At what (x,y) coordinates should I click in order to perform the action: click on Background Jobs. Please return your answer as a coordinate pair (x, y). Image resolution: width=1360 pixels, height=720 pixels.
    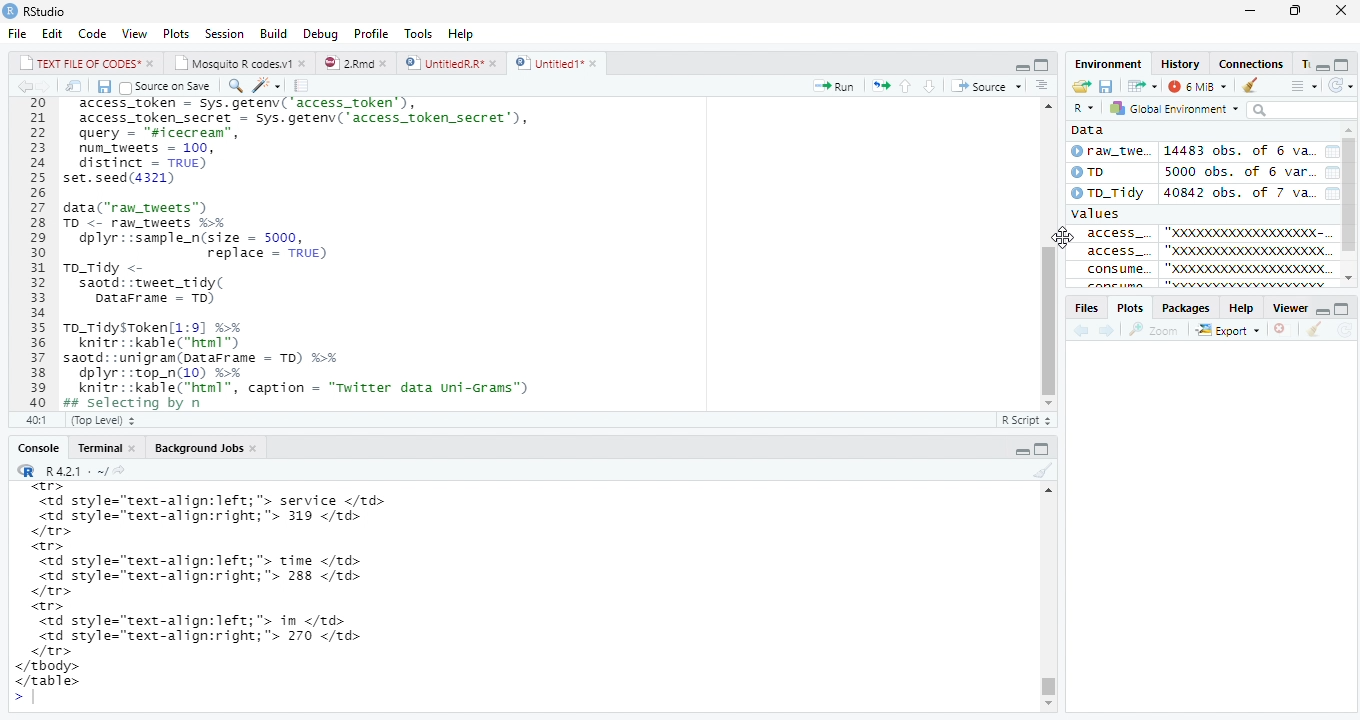
    Looking at the image, I should click on (208, 447).